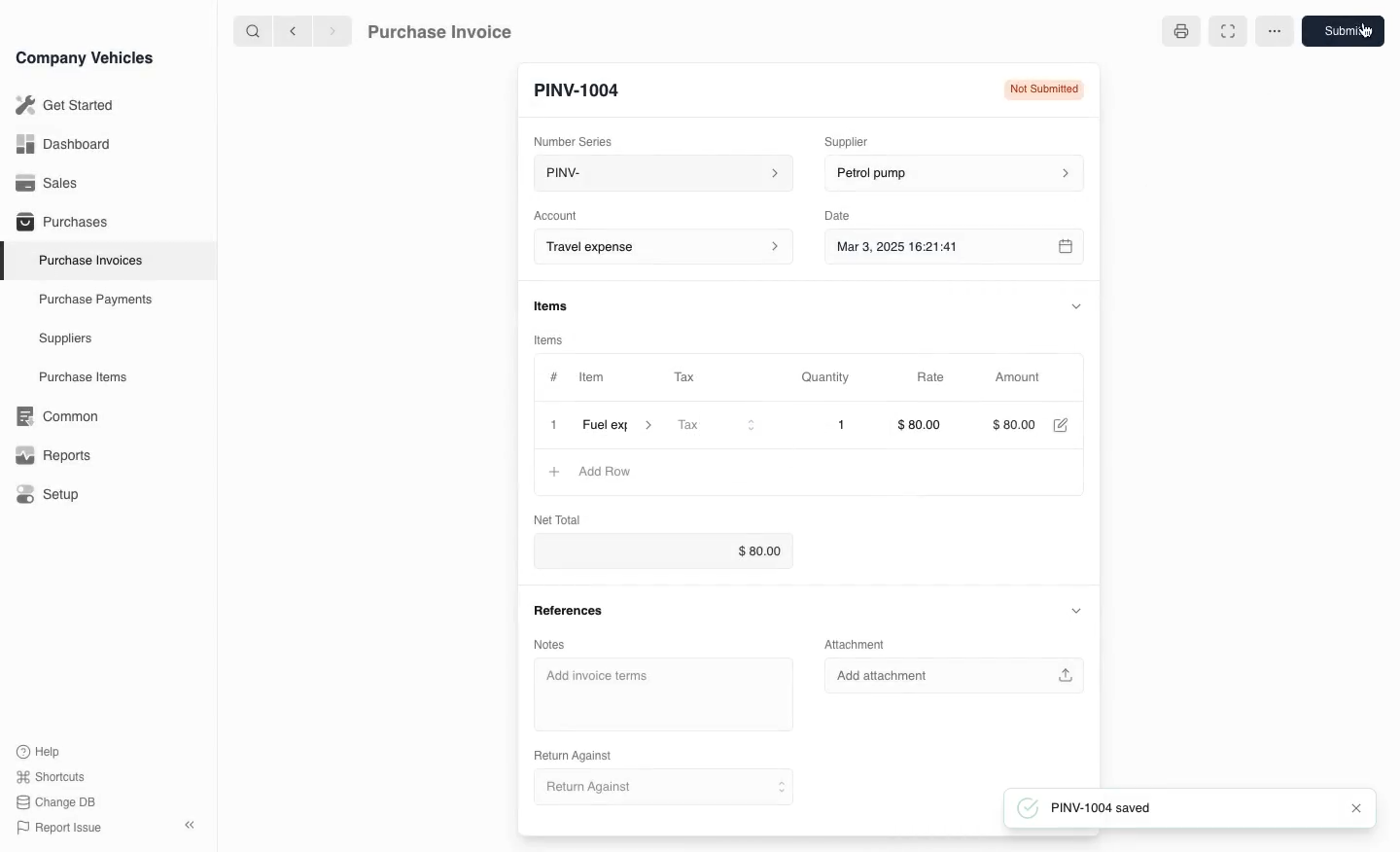 This screenshot has height=852, width=1400. What do you see at coordinates (53, 455) in the screenshot?
I see `Reports` at bounding box center [53, 455].